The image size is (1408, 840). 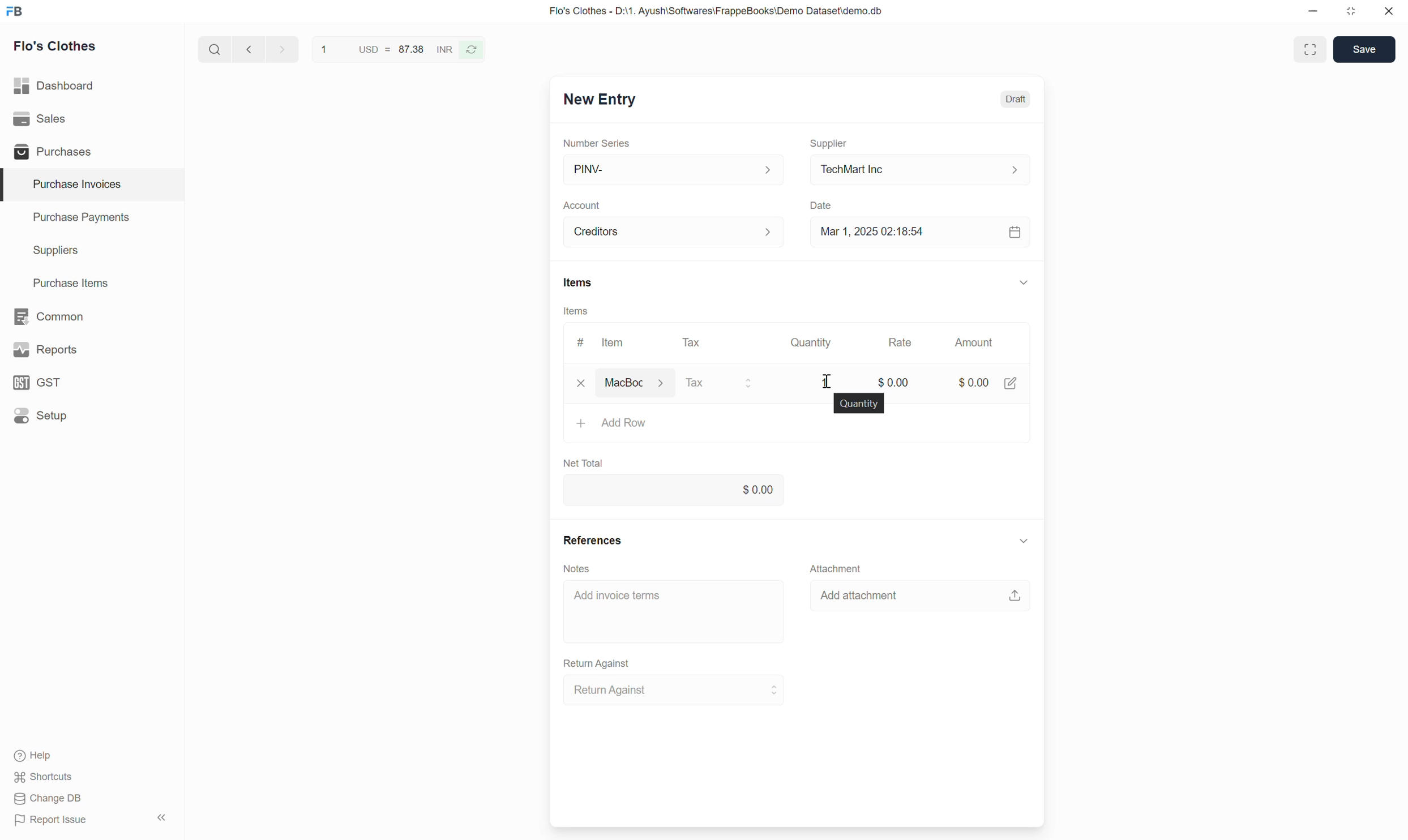 I want to click on Mar 1, 2025 02:18:54, so click(x=921, y=232).